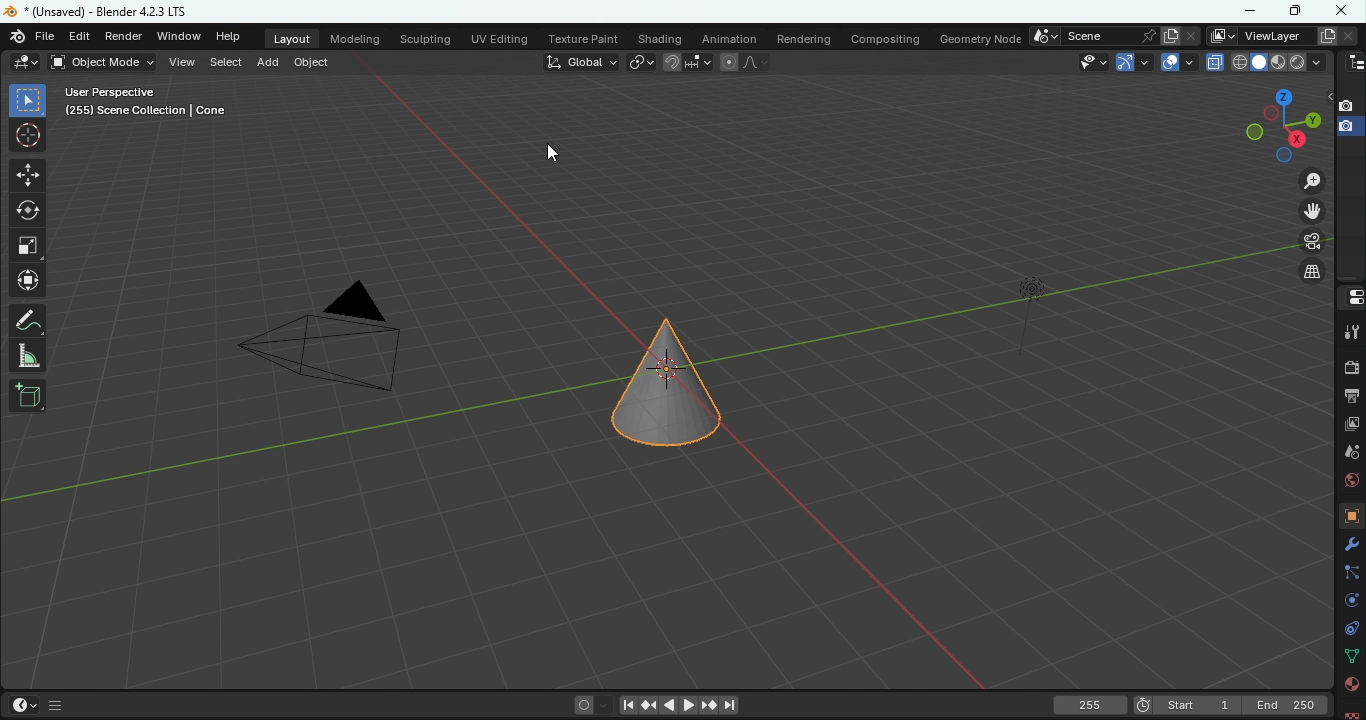 The image size is (1366, 720). I want to click on Sculpting, so click(426, 37).